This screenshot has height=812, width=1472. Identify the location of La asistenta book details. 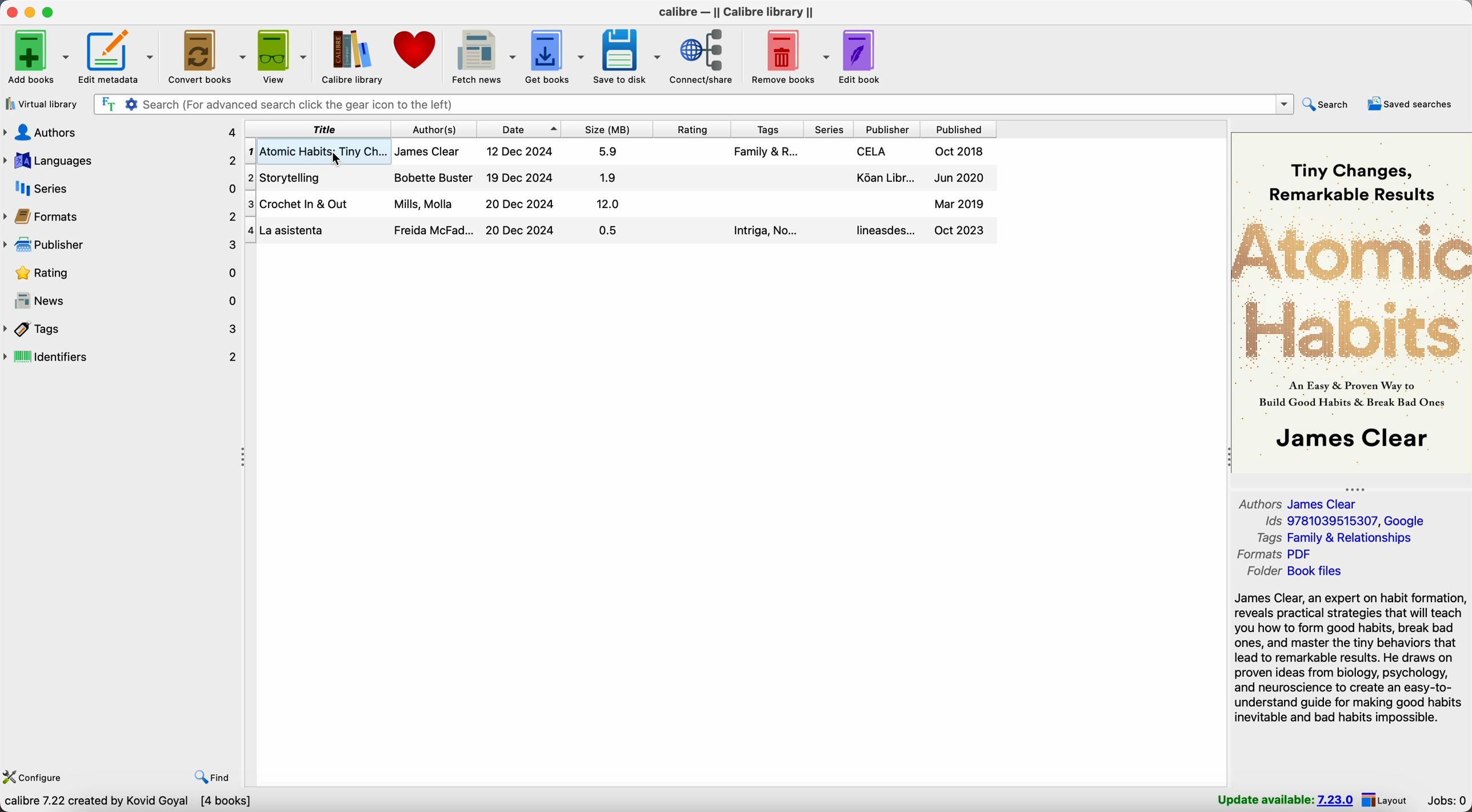
(621, 230).